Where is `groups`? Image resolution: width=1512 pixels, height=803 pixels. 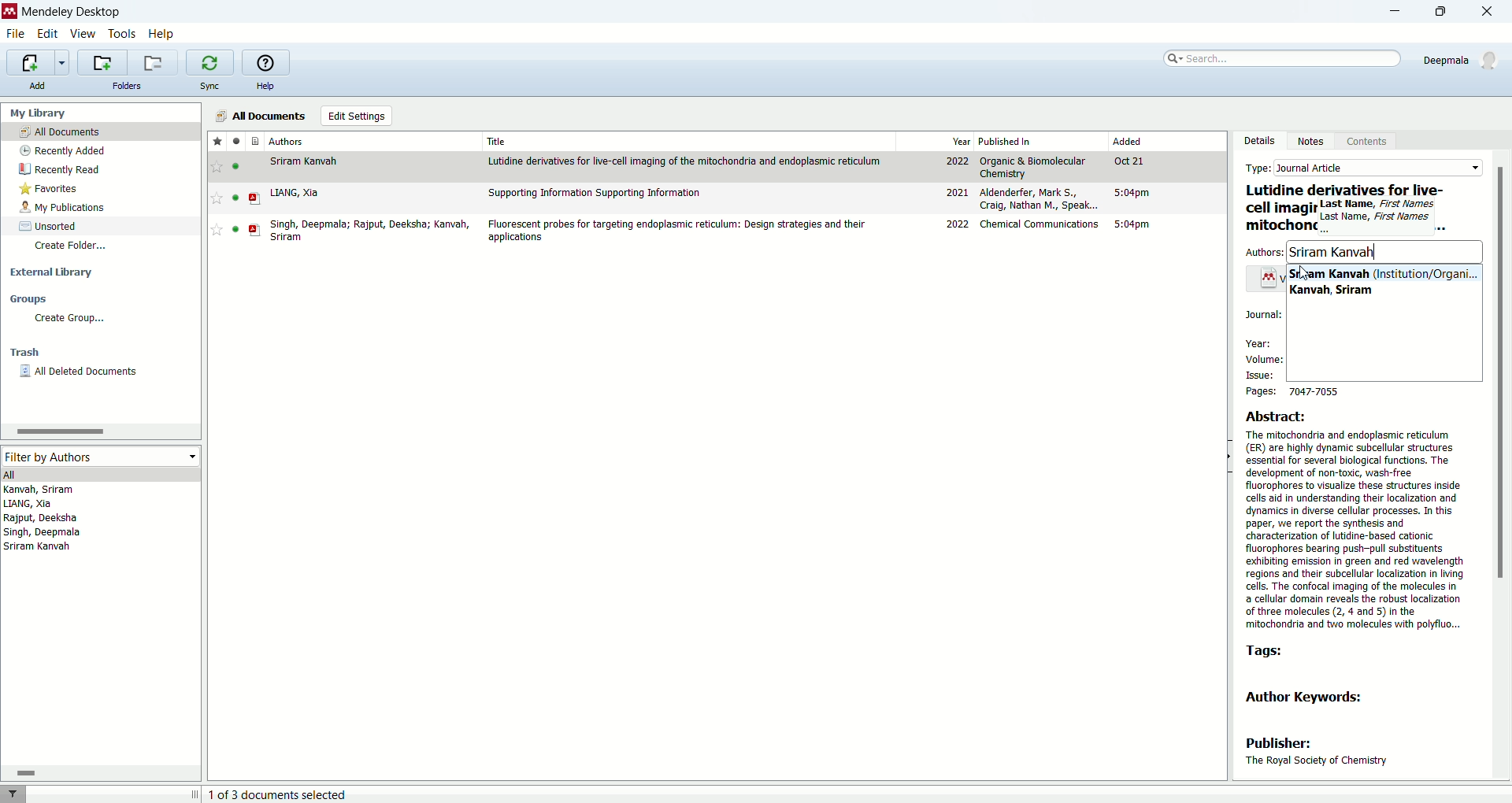
groups is located at coordinates (32, 299).